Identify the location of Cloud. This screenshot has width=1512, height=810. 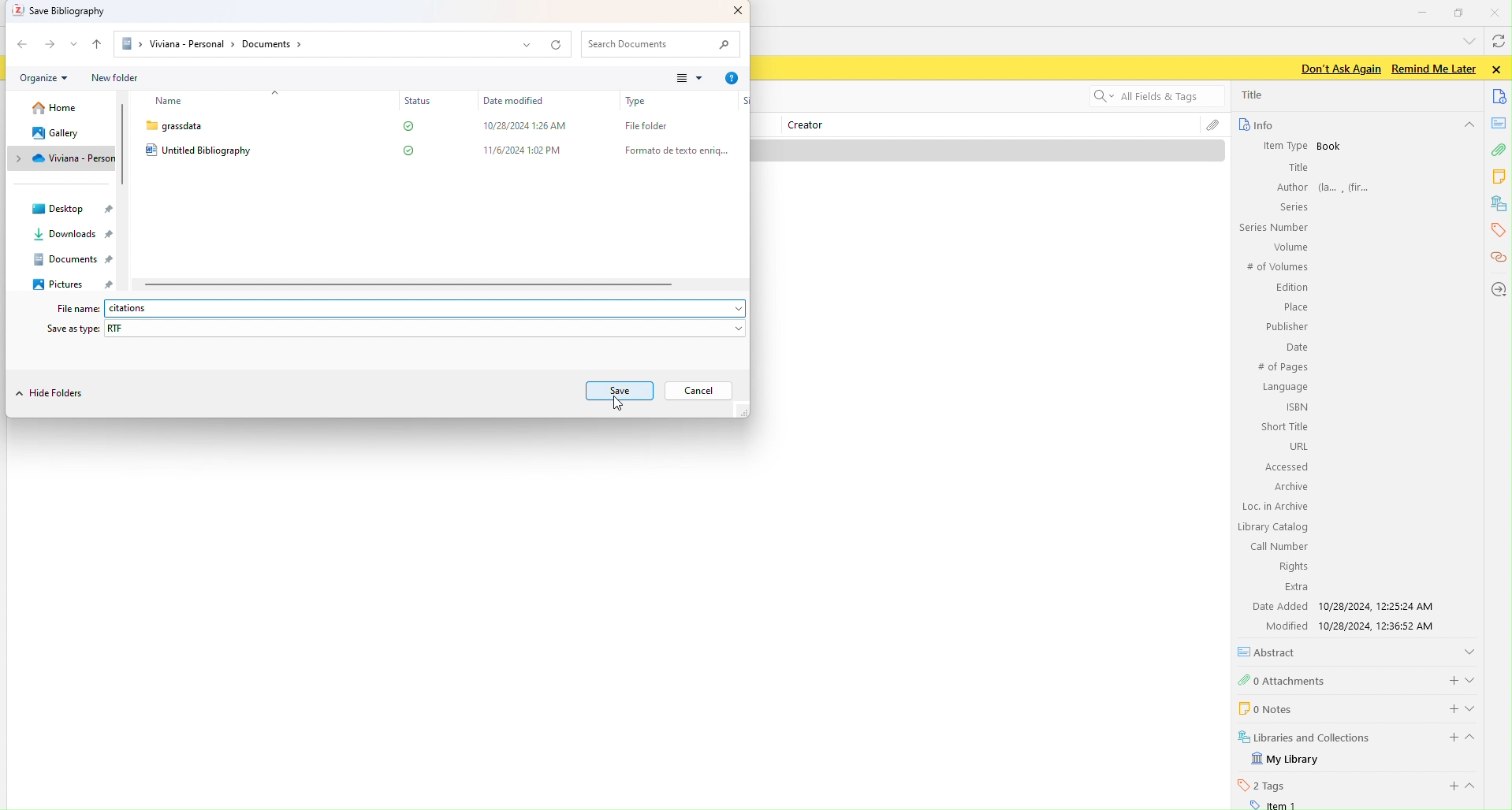
(58, 159).